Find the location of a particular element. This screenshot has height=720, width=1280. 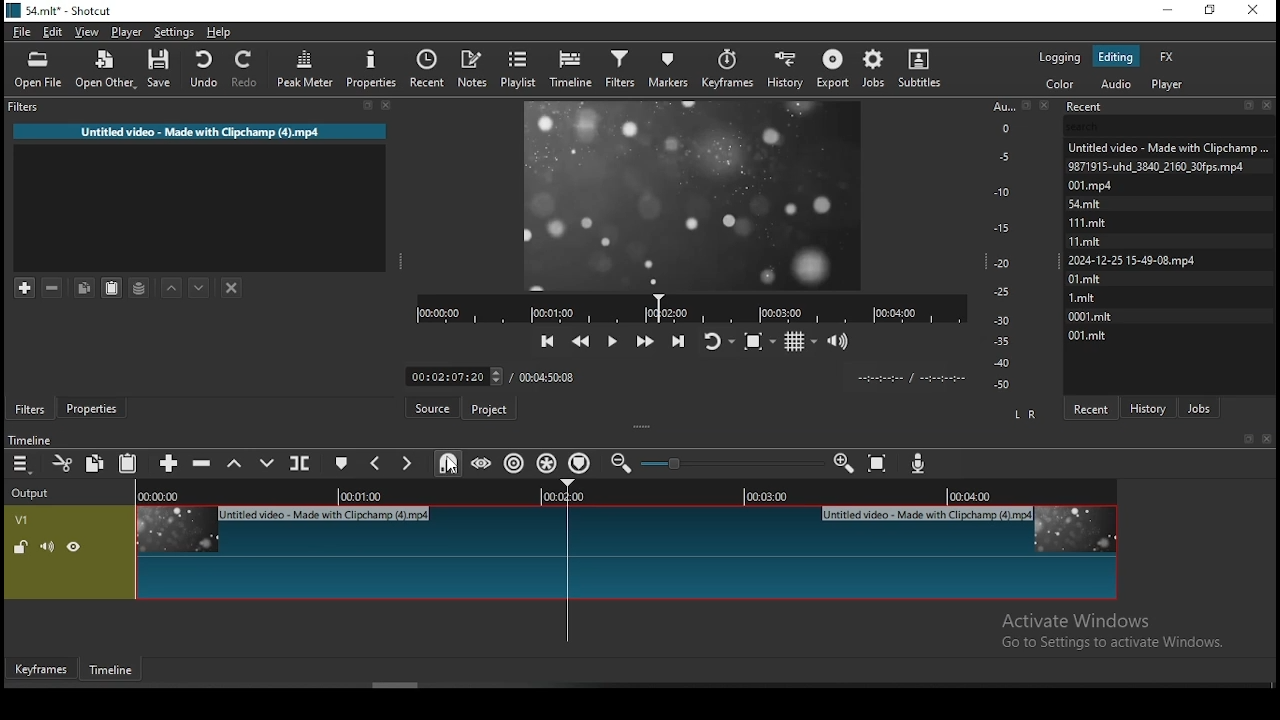

scale is located at coordinates (1007, 244).